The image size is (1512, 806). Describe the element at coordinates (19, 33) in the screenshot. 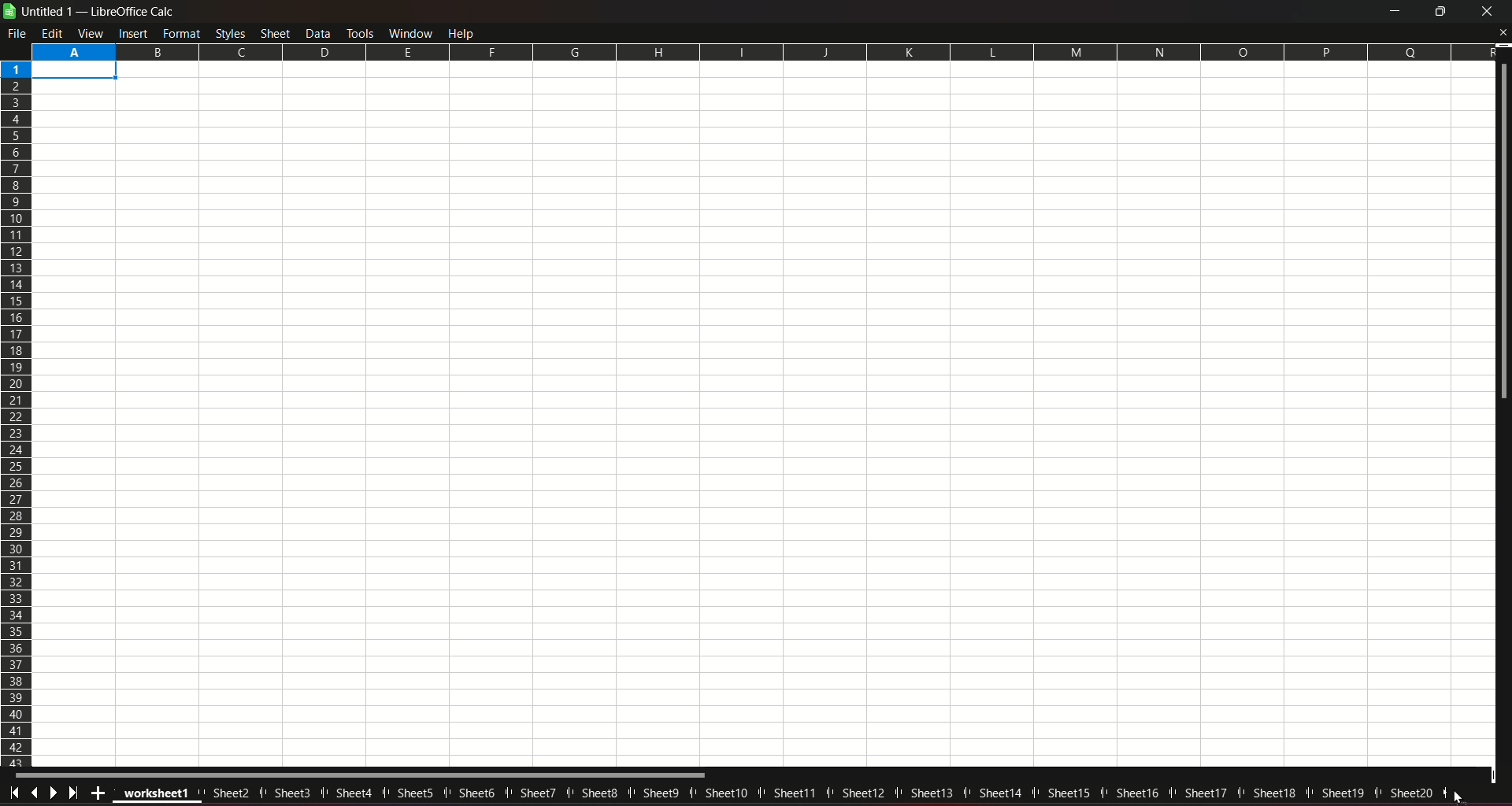

I see `file` at that location.